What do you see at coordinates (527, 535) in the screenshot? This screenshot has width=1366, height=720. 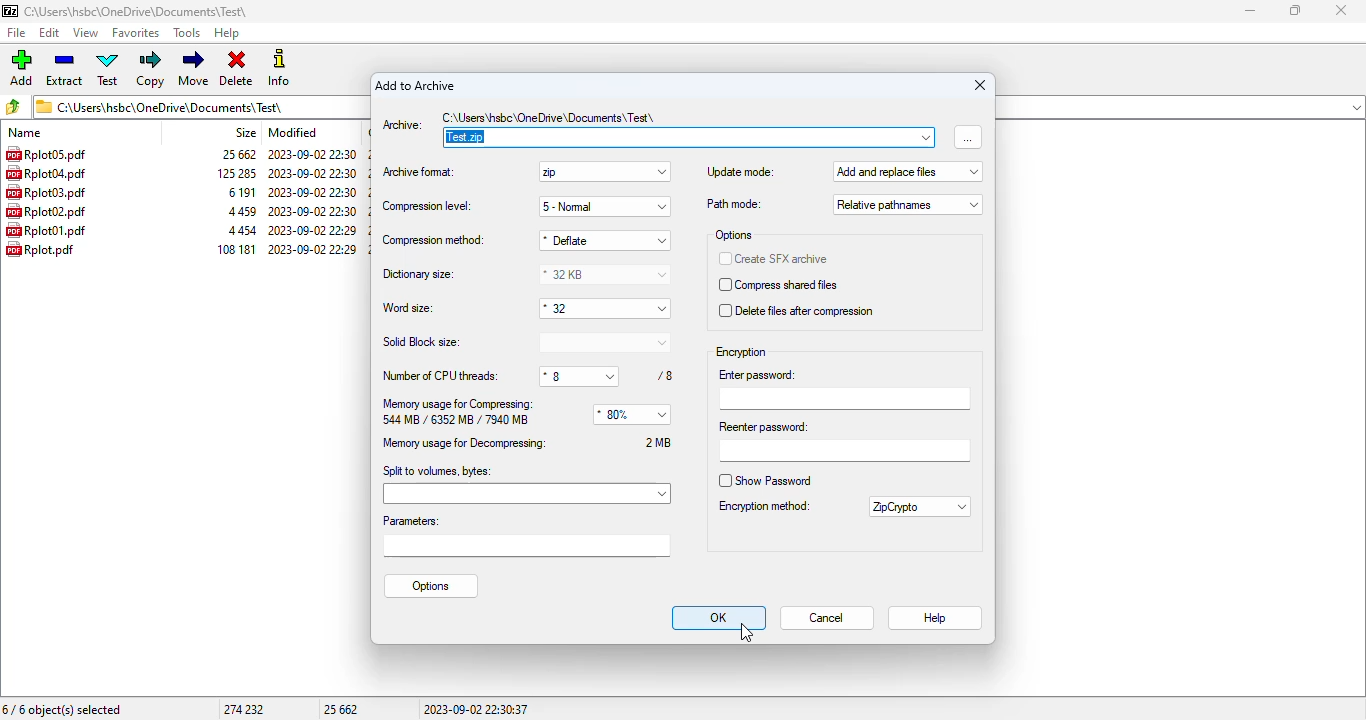 I see `parameters` at bounding box center [527, 535].